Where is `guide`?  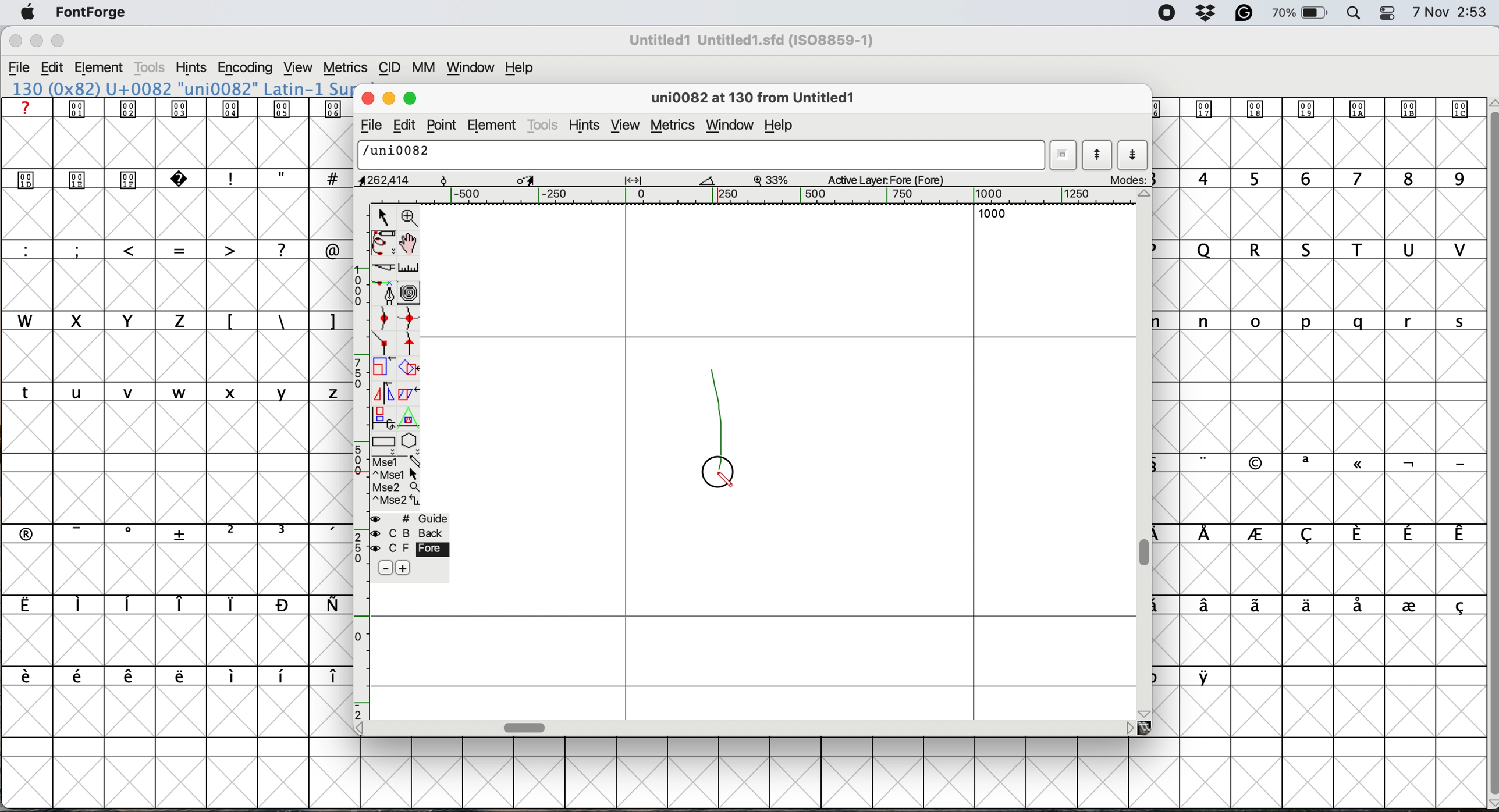
guide is located at coordinates (413, 518).